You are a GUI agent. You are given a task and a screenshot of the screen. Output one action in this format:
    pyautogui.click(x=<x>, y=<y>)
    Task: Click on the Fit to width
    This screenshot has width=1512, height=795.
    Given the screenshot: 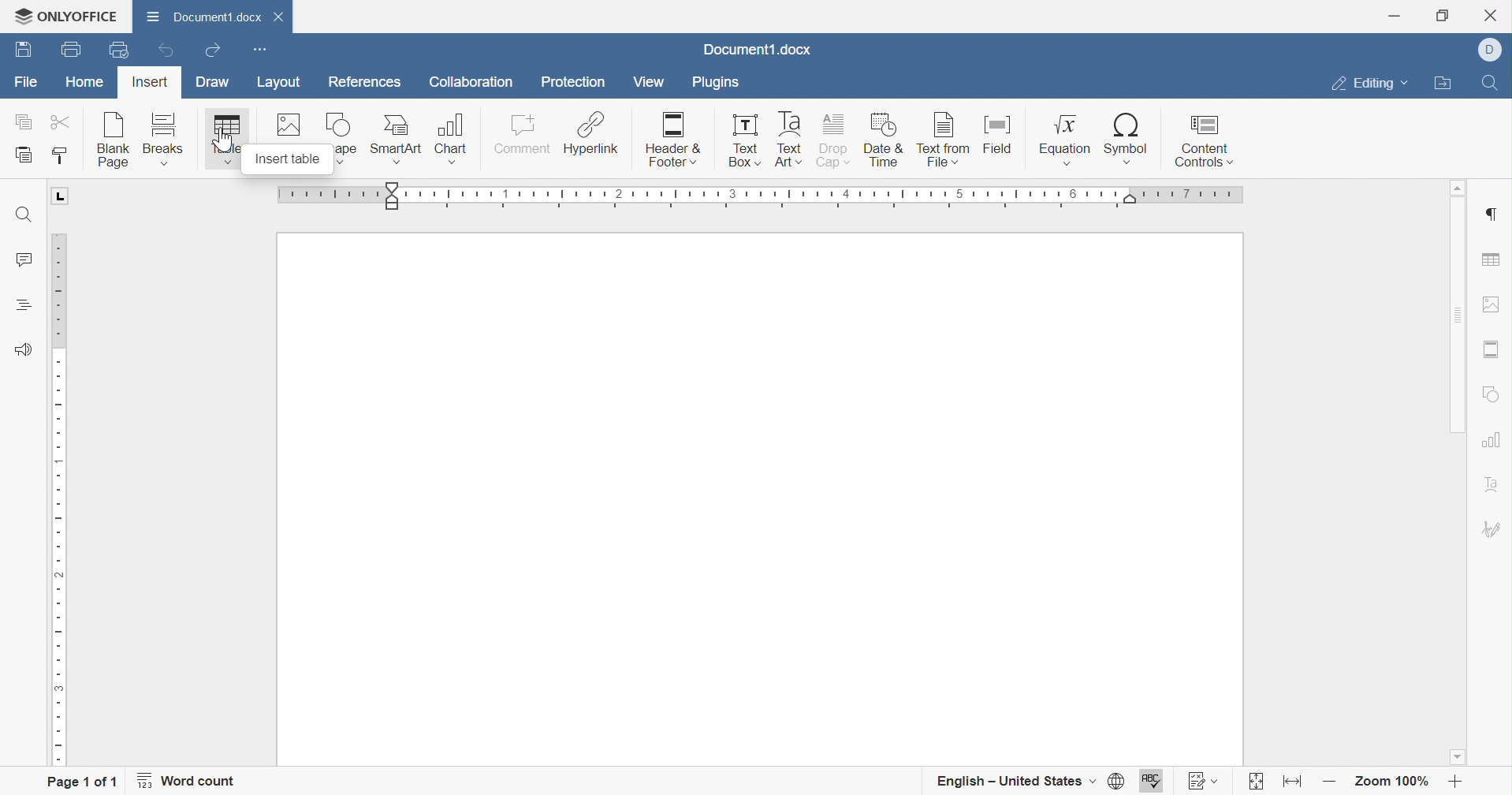 What is the action you would take?
    pyautogui.click(x=1292, y=782)
    